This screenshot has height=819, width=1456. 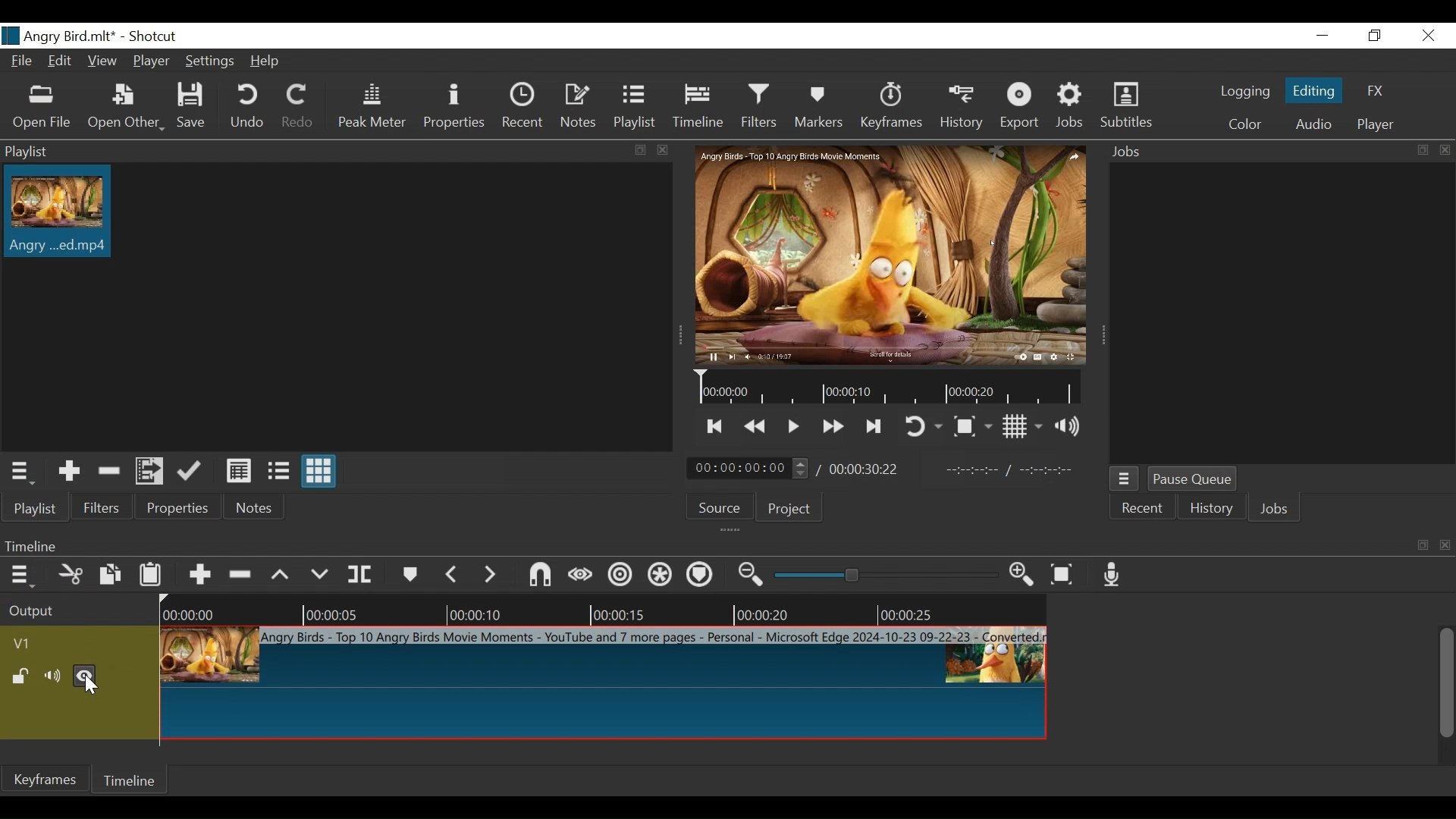 I want to click on Ripple Delete, so click(x=239, y=575).